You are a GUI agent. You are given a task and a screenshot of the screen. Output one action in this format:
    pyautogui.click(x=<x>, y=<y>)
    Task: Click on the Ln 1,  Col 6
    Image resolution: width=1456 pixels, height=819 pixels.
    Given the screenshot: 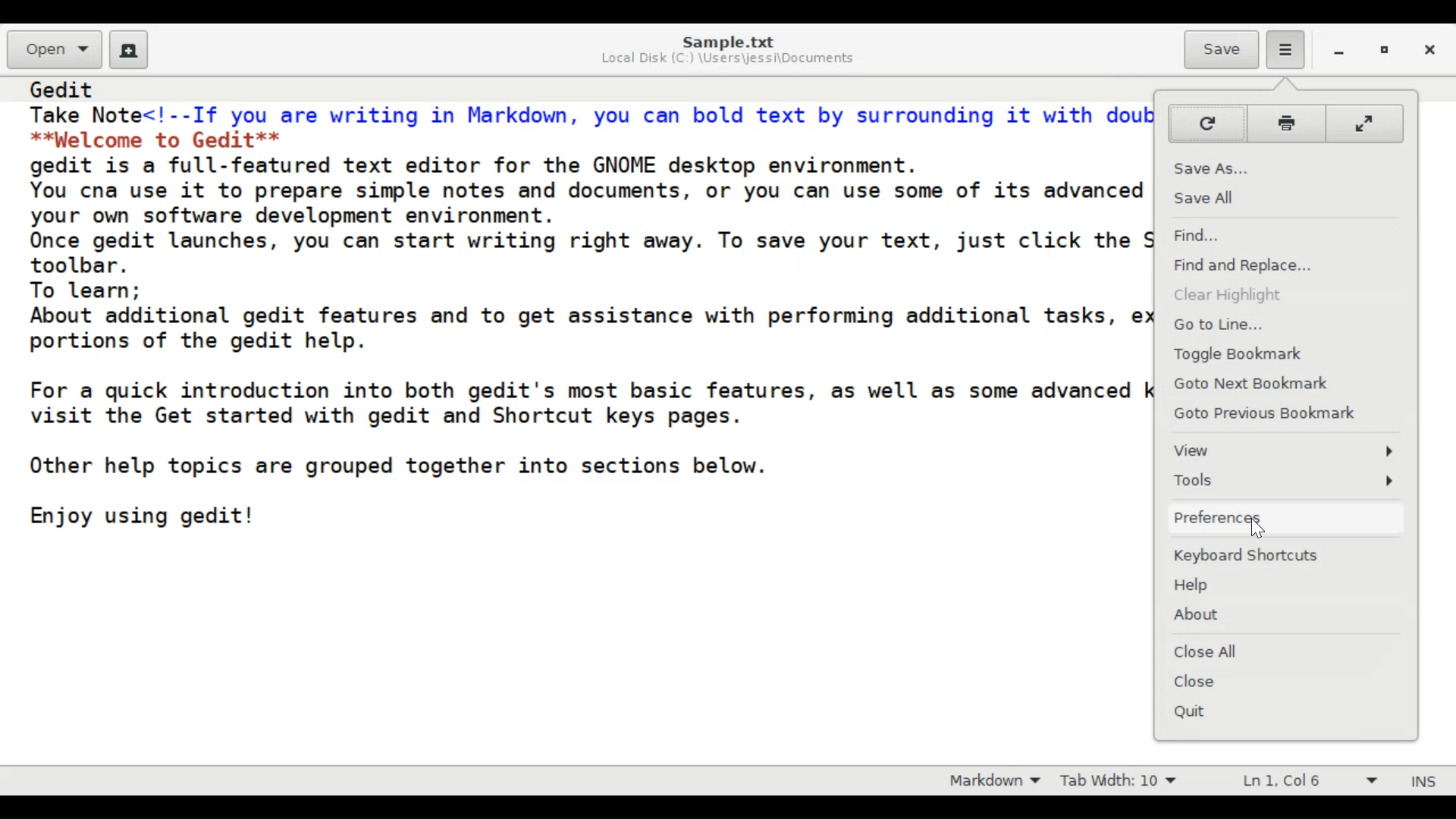 What is the action you would take?
    pyautogui.click(x=1304, y=781)
    